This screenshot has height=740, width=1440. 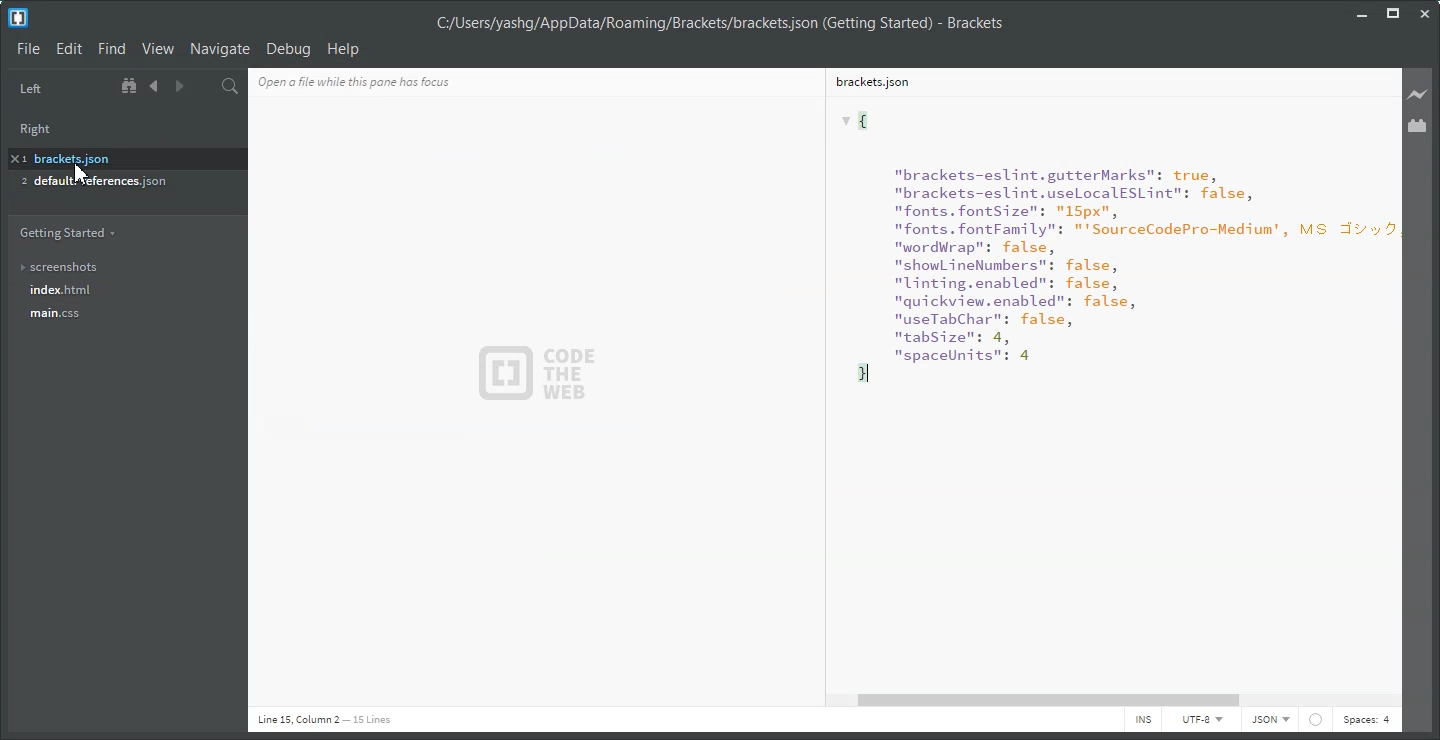 I want to click on Spaces: 4, so click(x=1366, y=721).